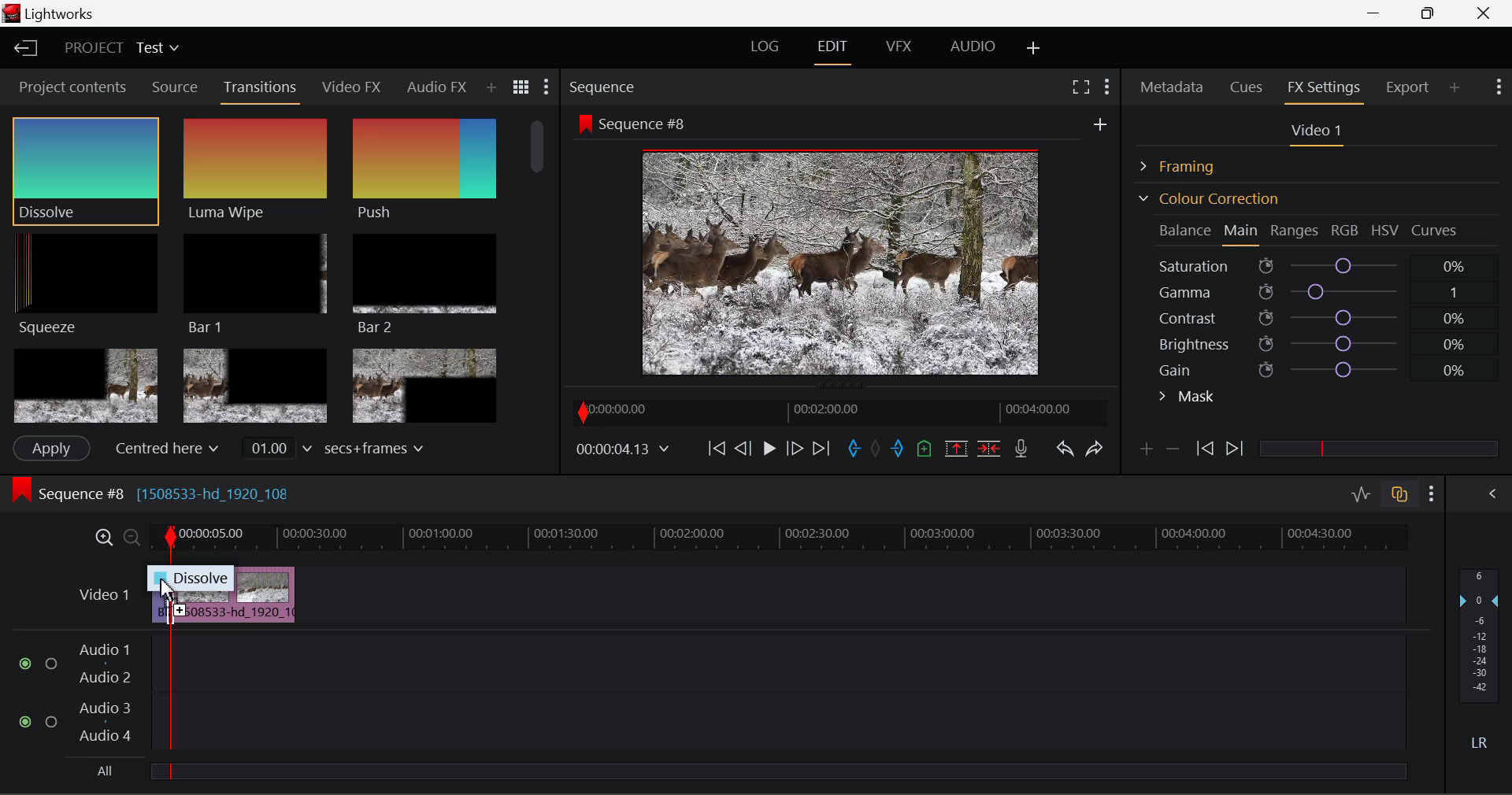 The image size is (1512, 795). I want to click on Mark Cue, so click(923, 449).